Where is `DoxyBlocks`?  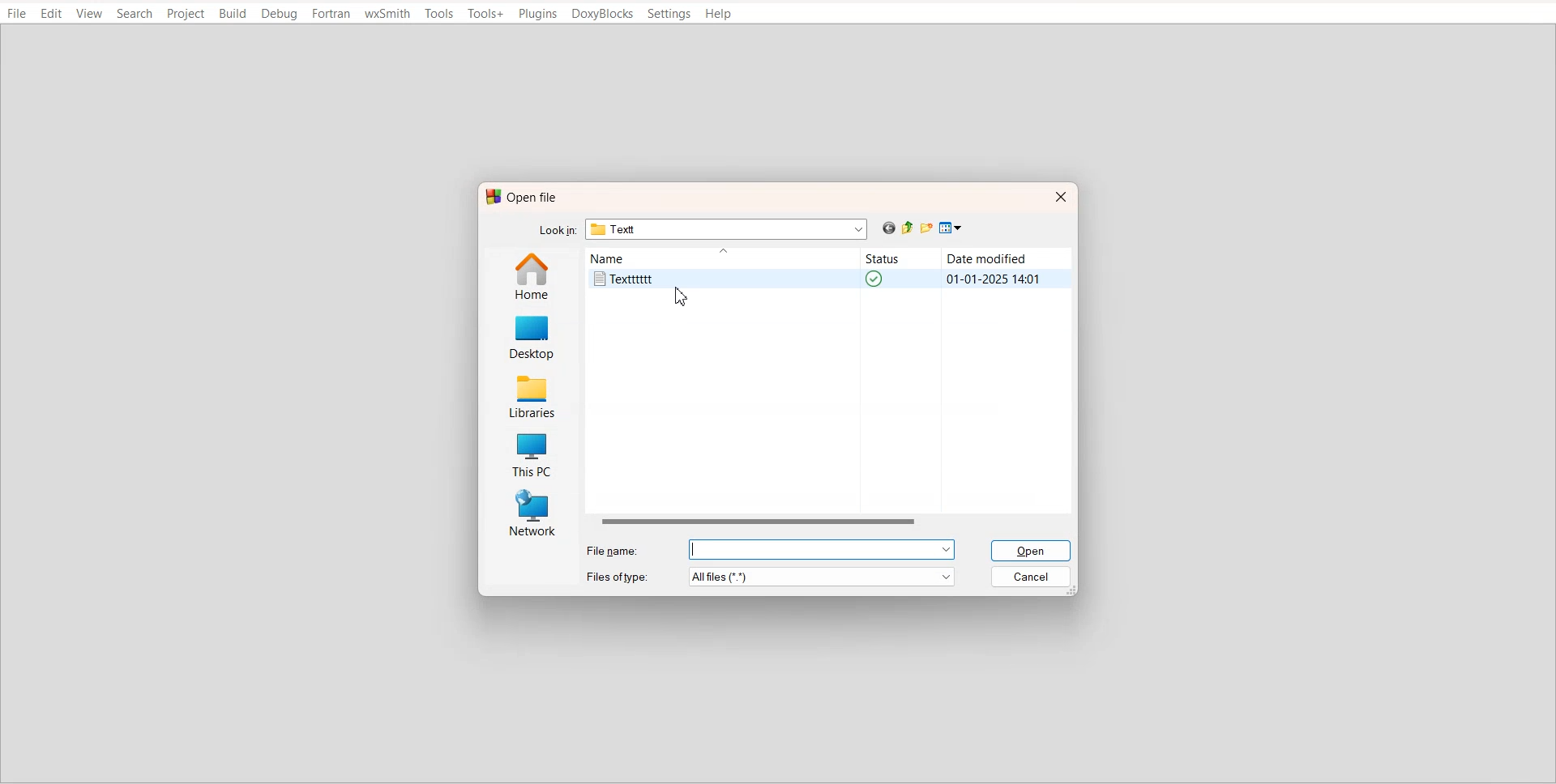 DoxyBlocks is located at coordinates (601, 13).